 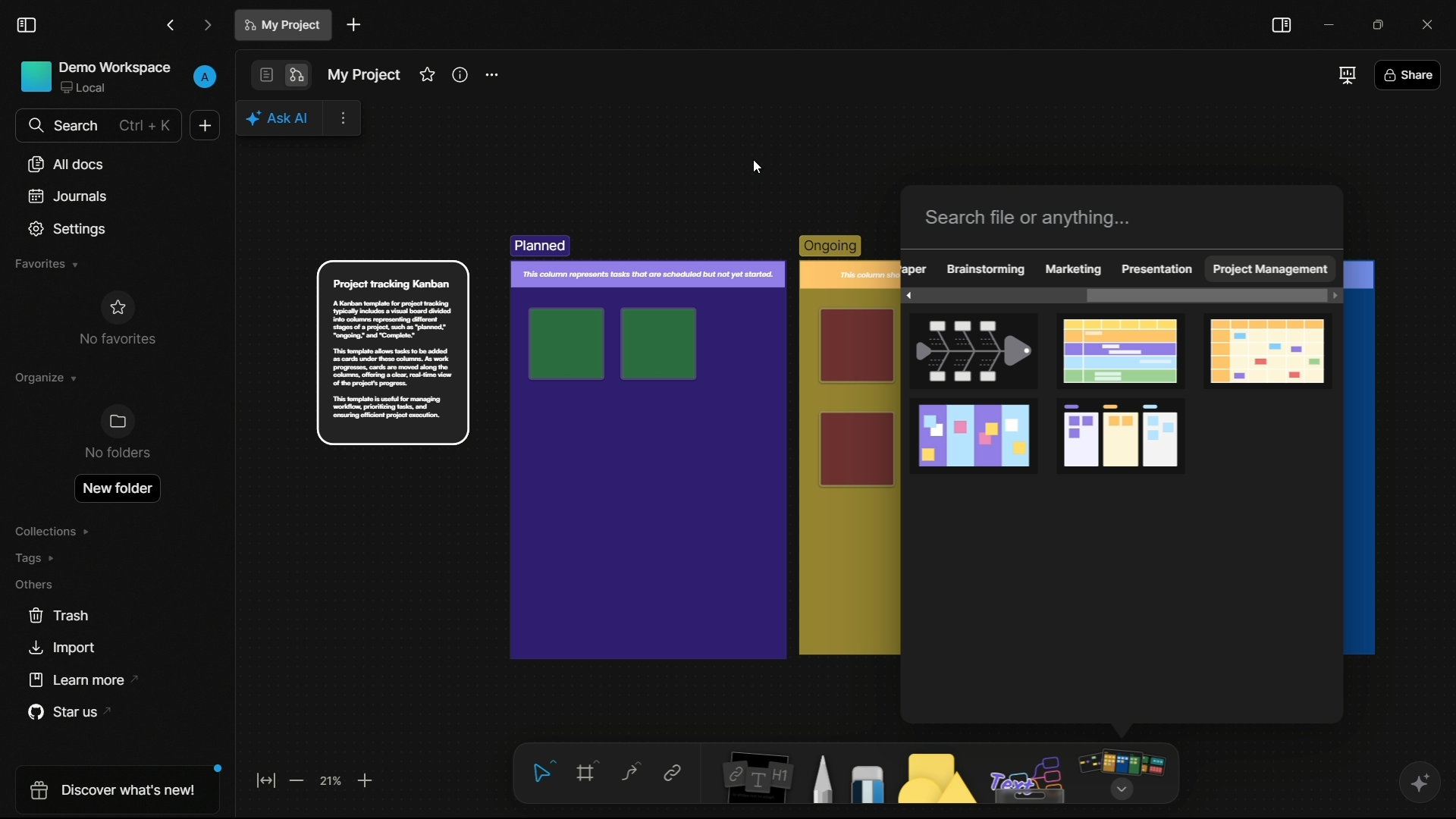 I want to click on scroll left, so click(x=905, y=296).